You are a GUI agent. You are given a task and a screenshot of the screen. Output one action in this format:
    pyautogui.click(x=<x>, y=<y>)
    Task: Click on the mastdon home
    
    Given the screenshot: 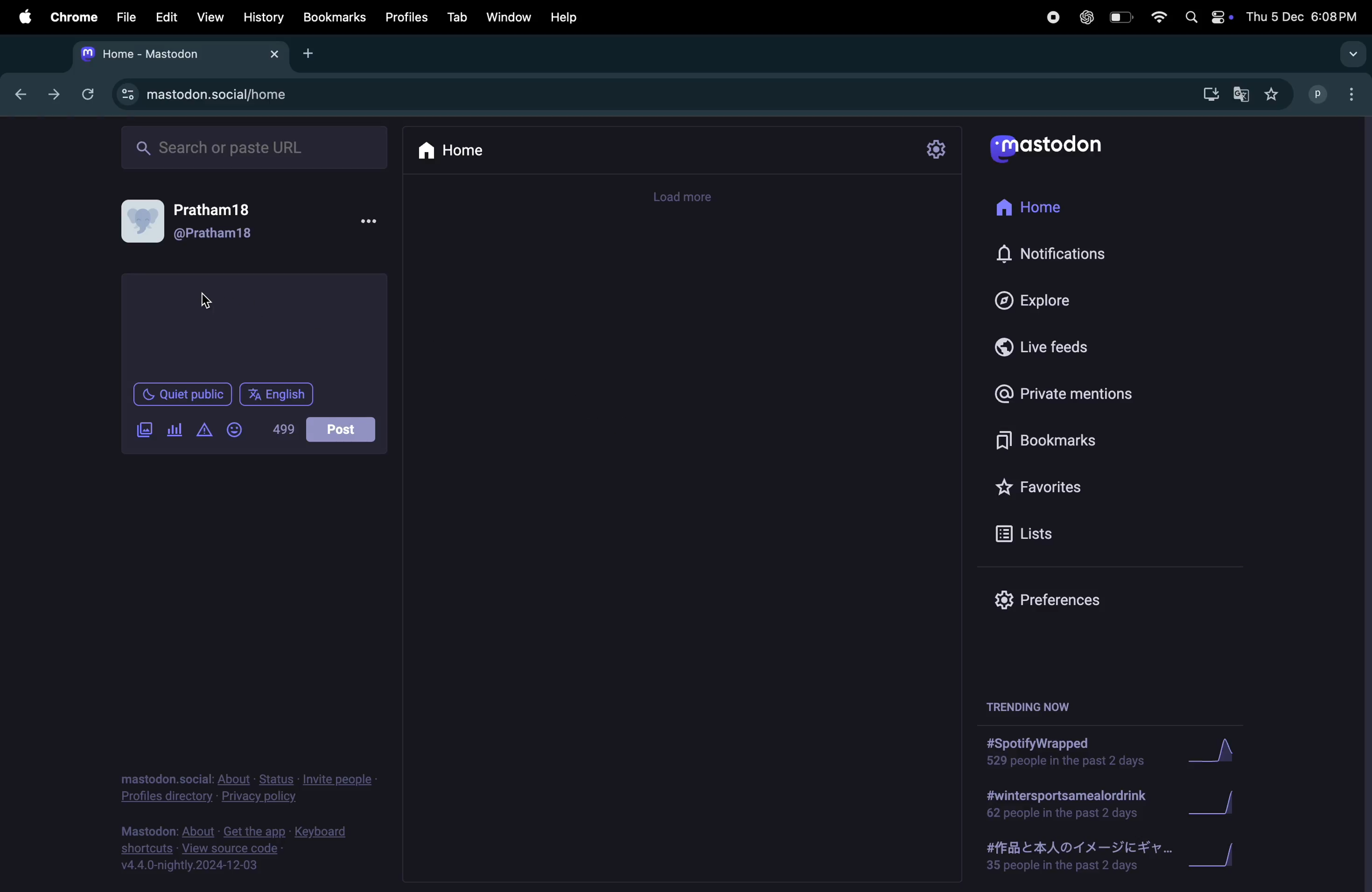 What is the action you would take?
    pyautogui.click(x=177, y=54)
    